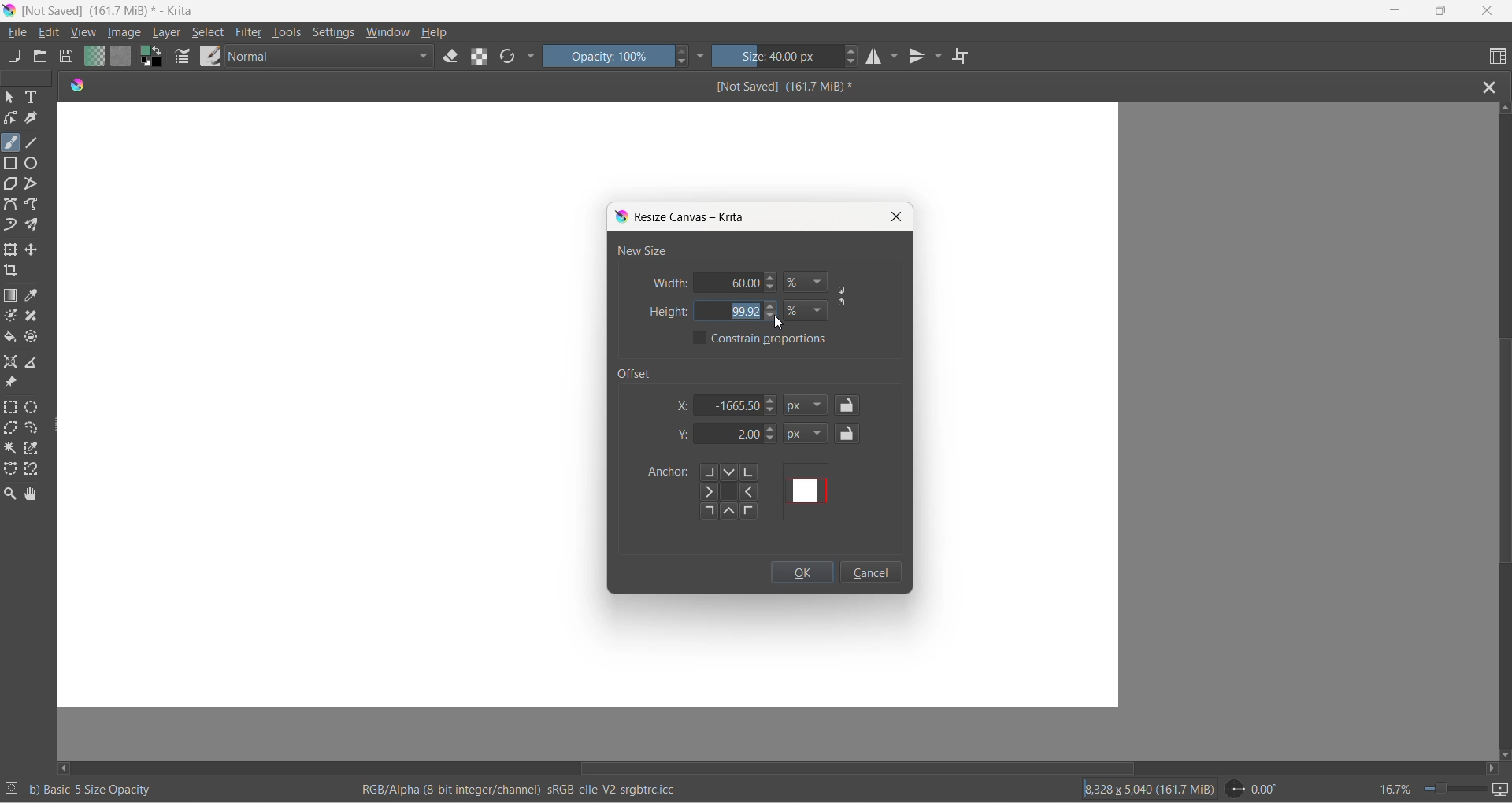  Describe the element at coordinates (121, 58) in the screenshot. I see `fill patterns` at that location.